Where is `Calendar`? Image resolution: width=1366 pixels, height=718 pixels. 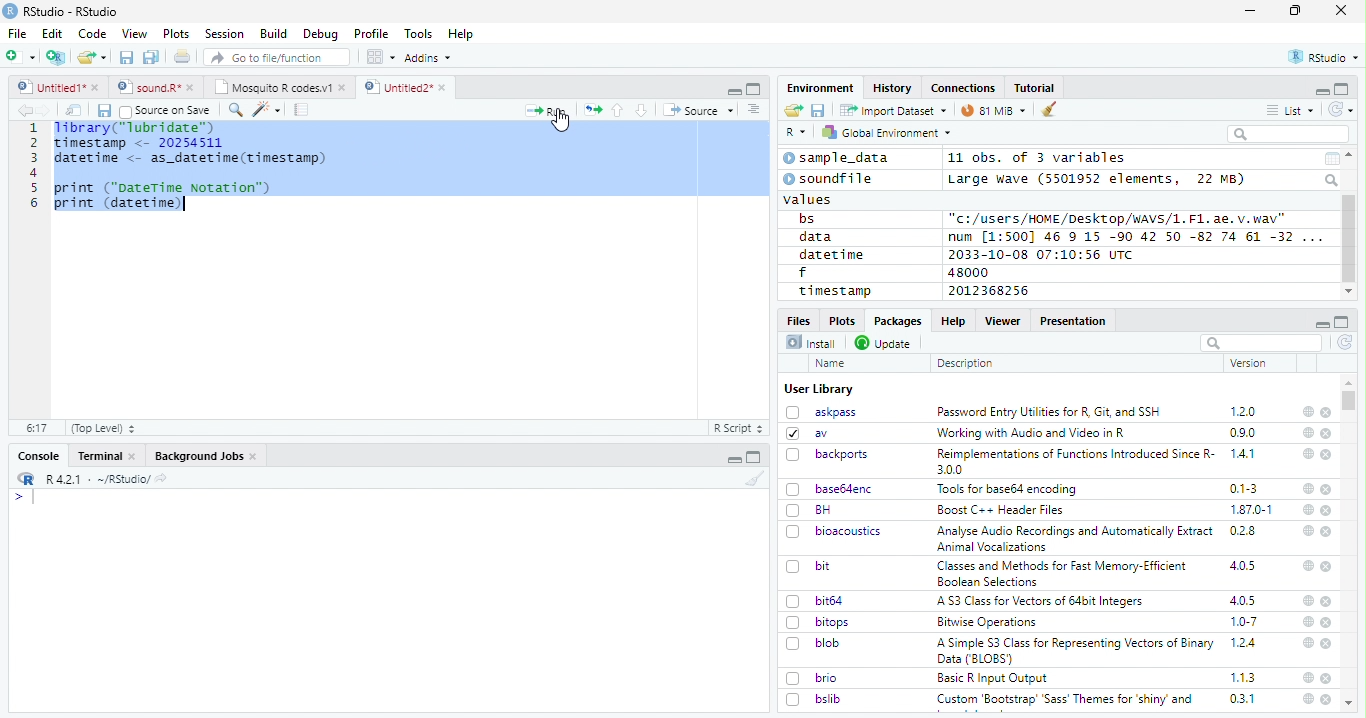 Calendar is located at coordinates (1331, 159).